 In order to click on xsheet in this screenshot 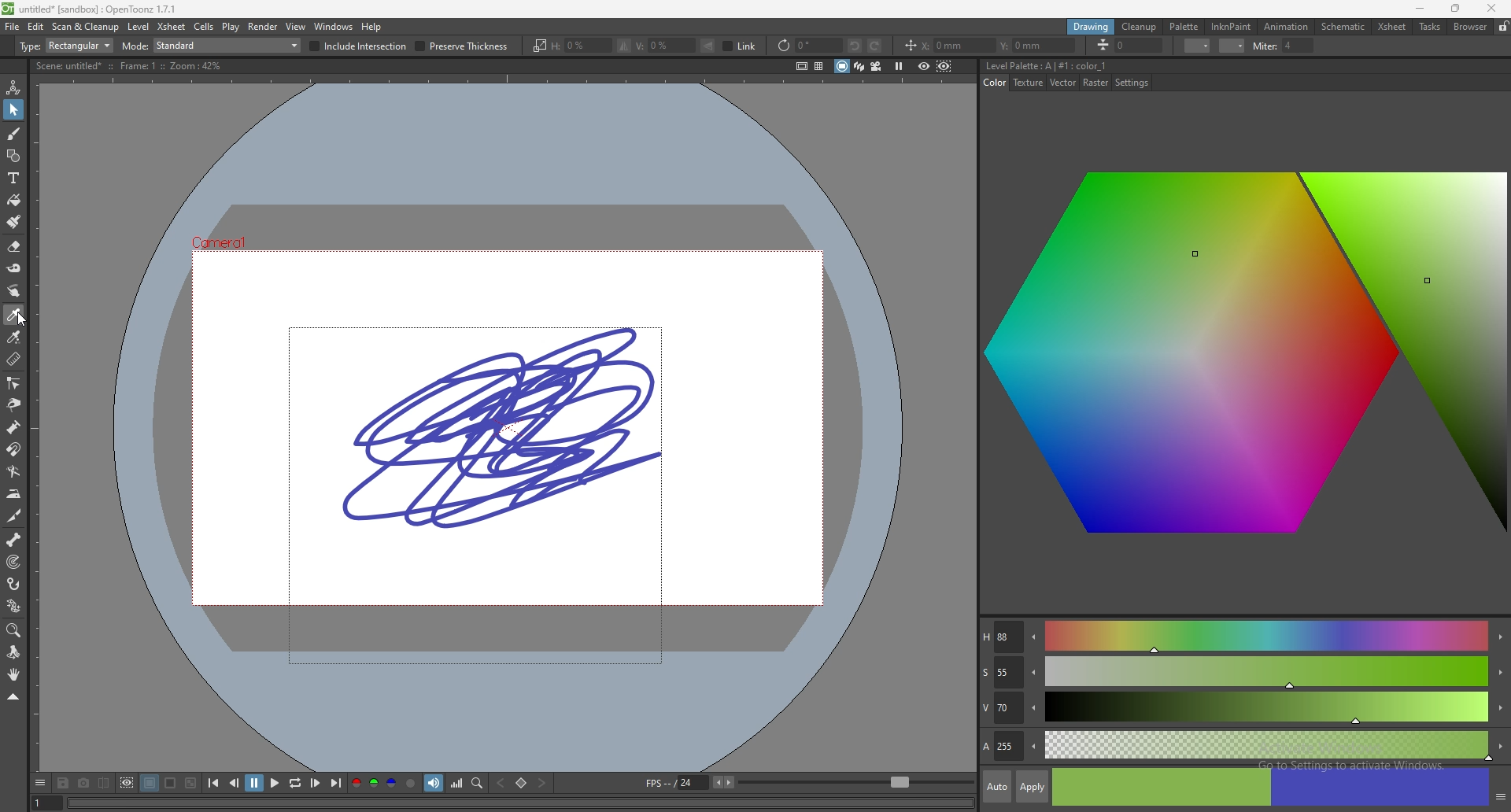, I will do `click(1393, 27)`.